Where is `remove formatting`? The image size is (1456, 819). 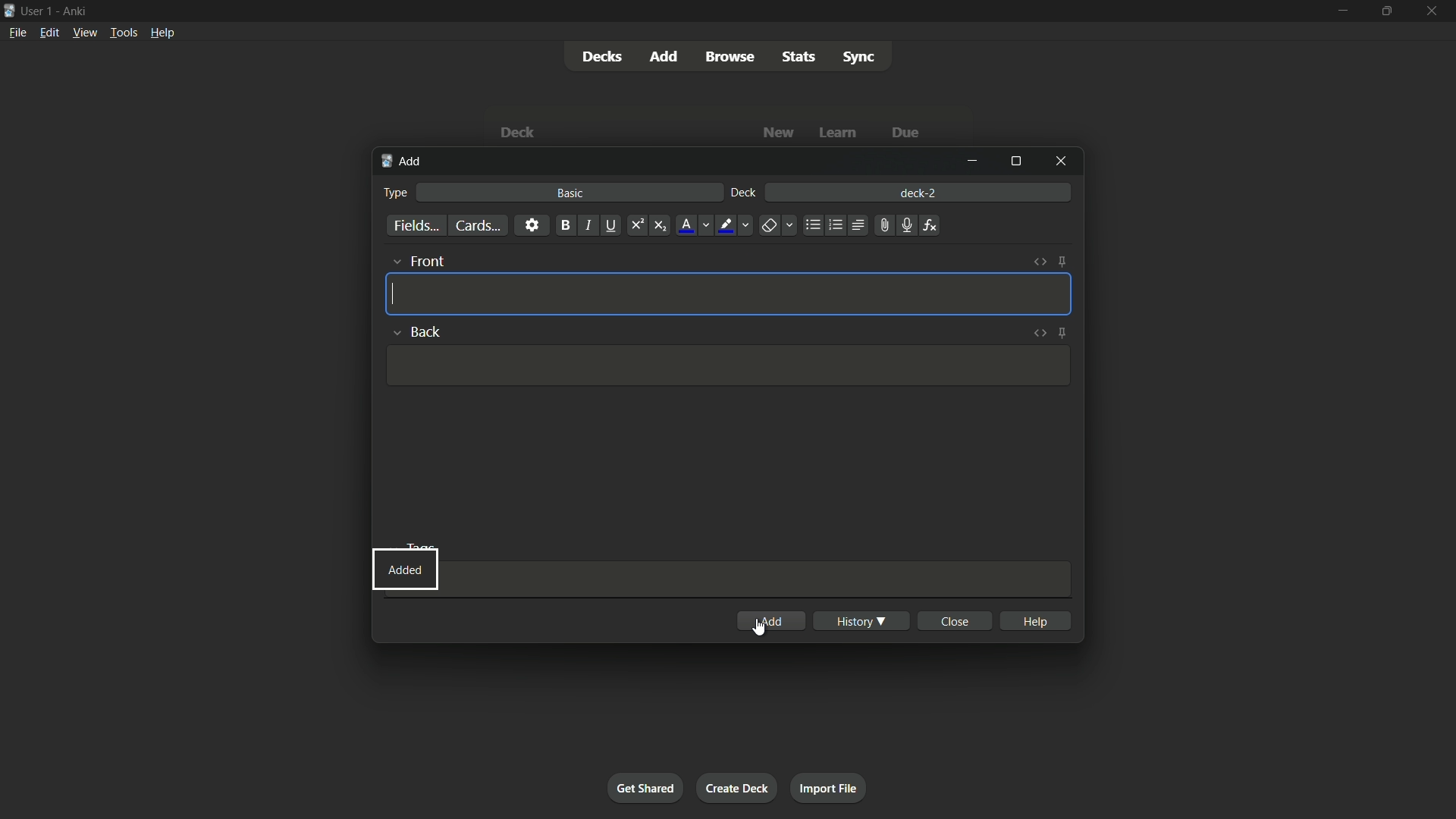
remove formatting is located at coordinates (777, 226).